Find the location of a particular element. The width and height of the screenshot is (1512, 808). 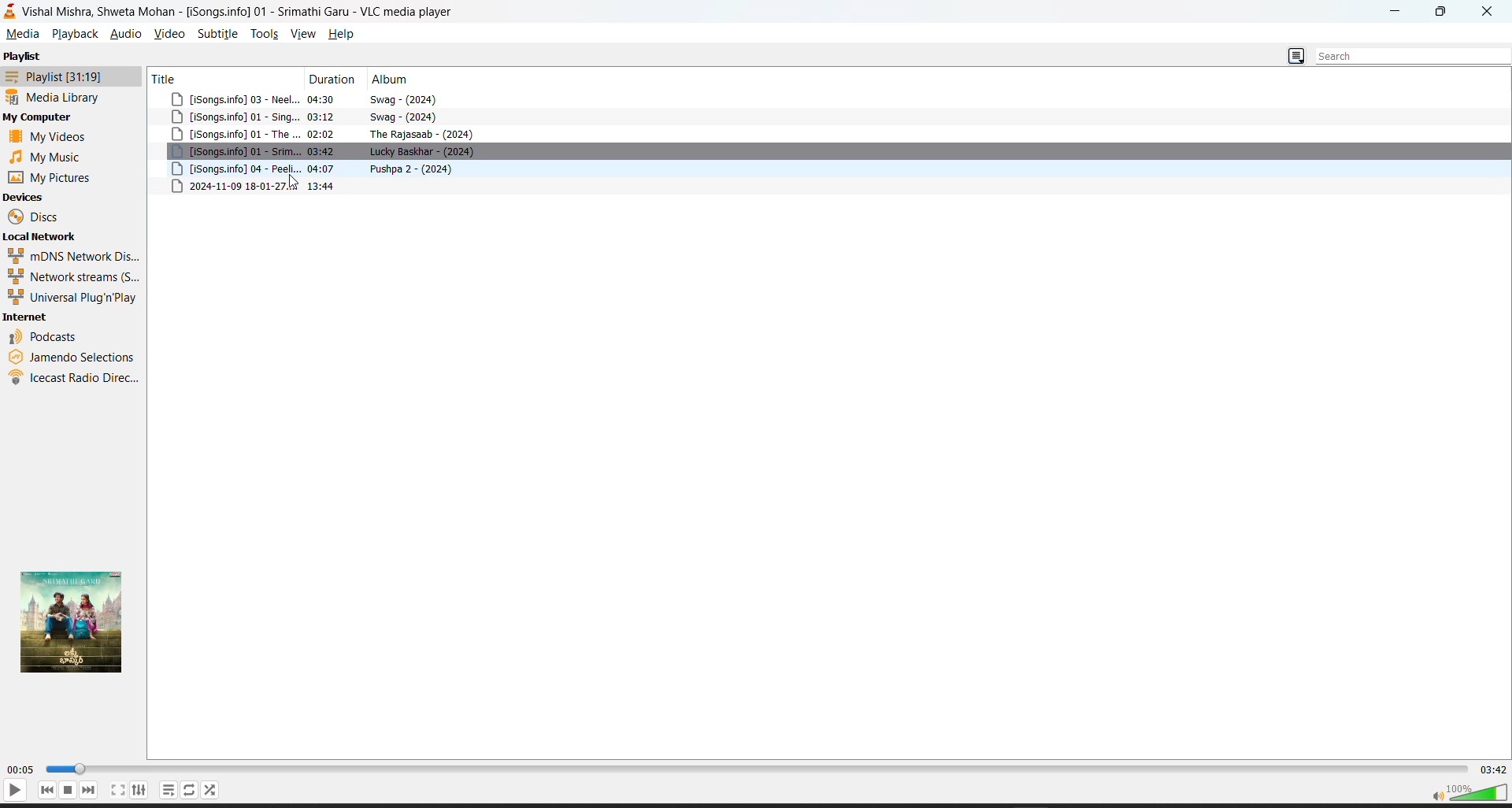

03:42 is located at coordinates (323, 150).